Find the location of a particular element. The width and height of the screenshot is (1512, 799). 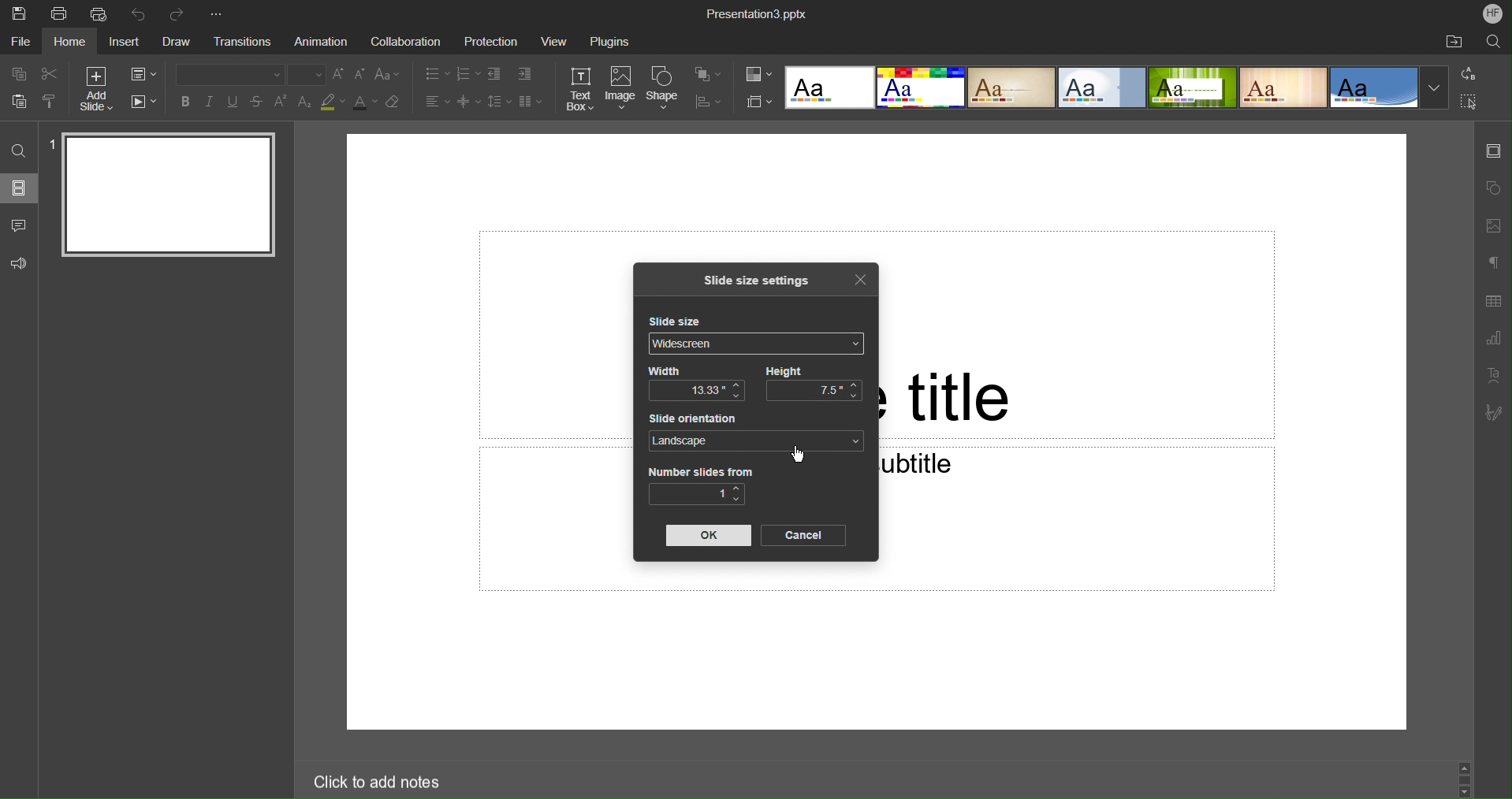

Text Box is located at coordinates (580, 89).